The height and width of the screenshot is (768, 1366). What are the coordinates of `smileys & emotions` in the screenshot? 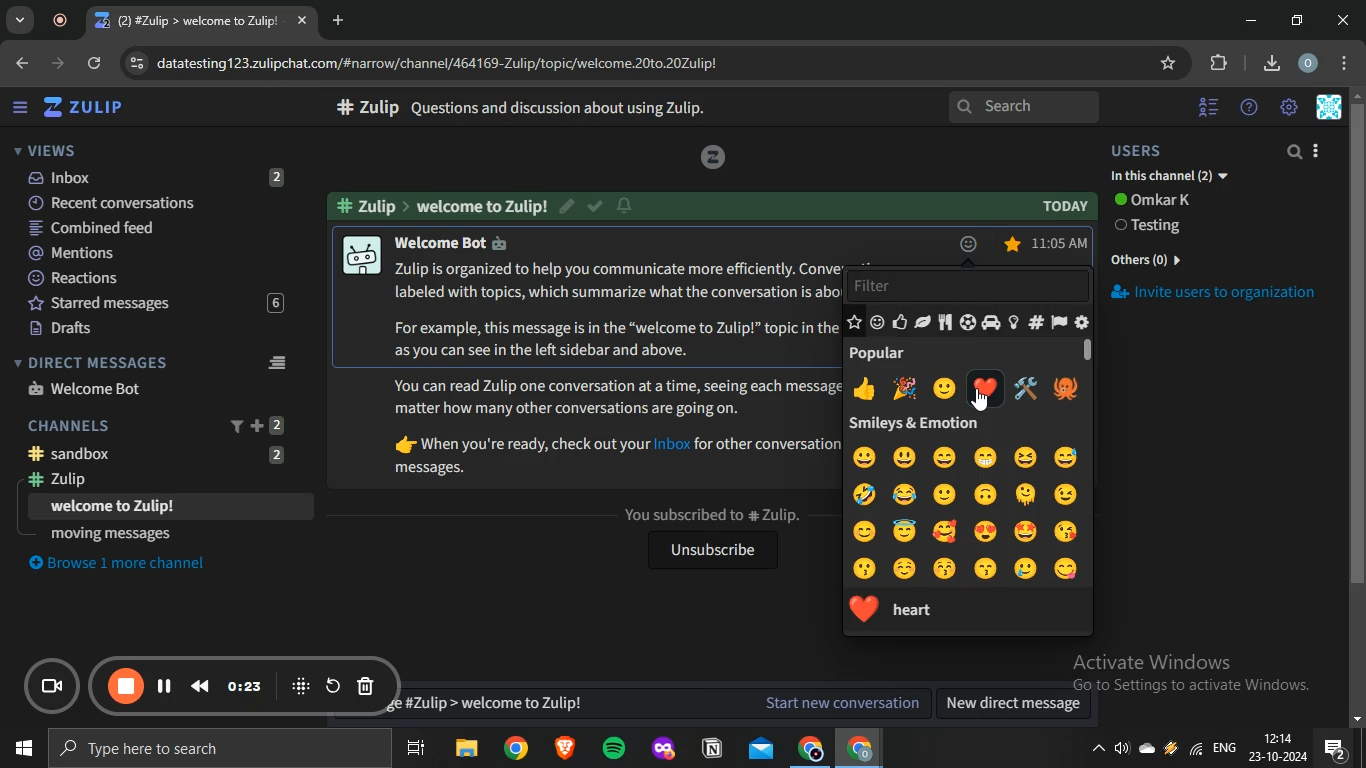 It's located at (912, 424).